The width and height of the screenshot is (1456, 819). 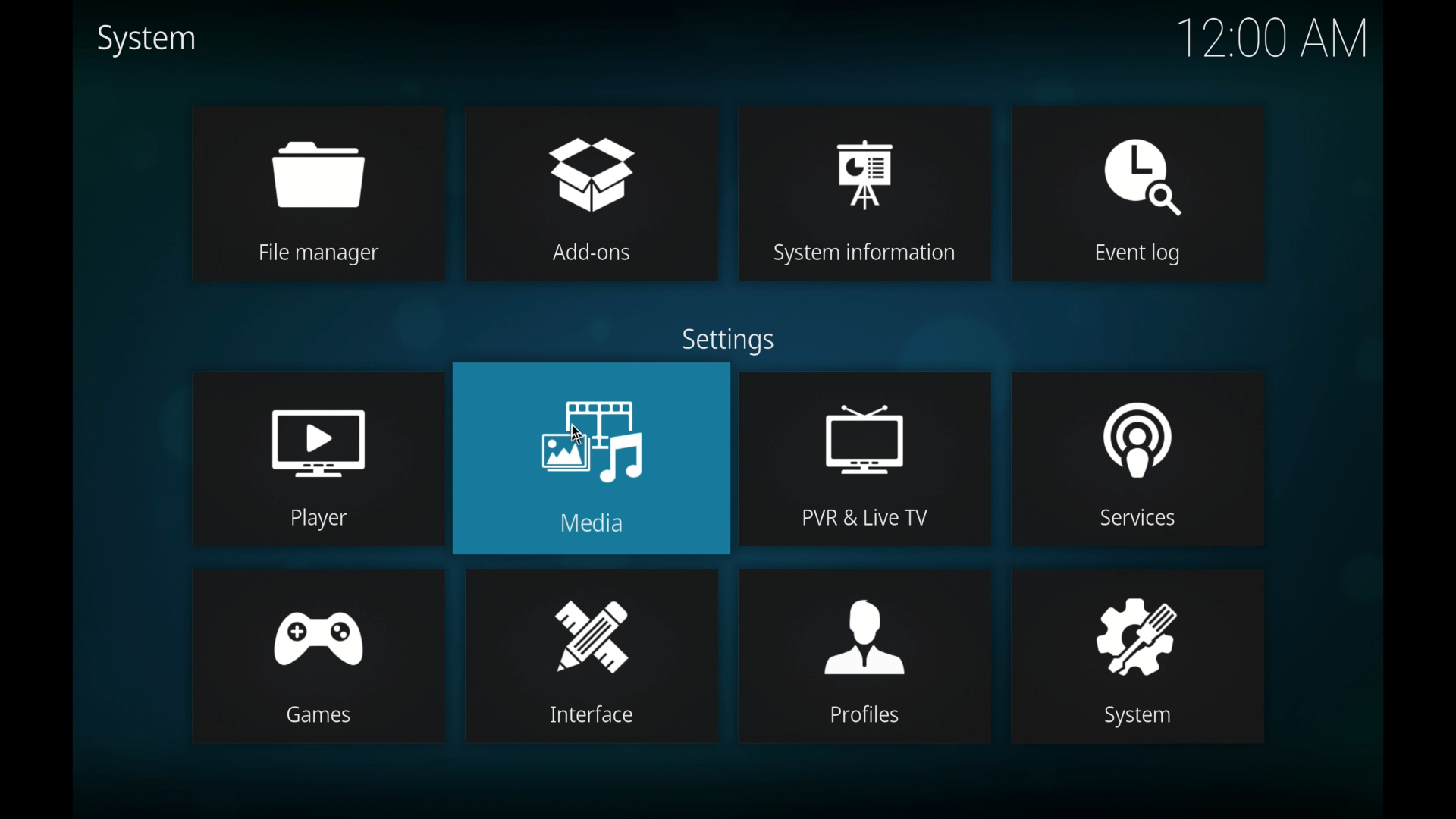 What do you see at coordinates (591, 459) in the screenshot?
I see `media` at bounding box center [591, 459].